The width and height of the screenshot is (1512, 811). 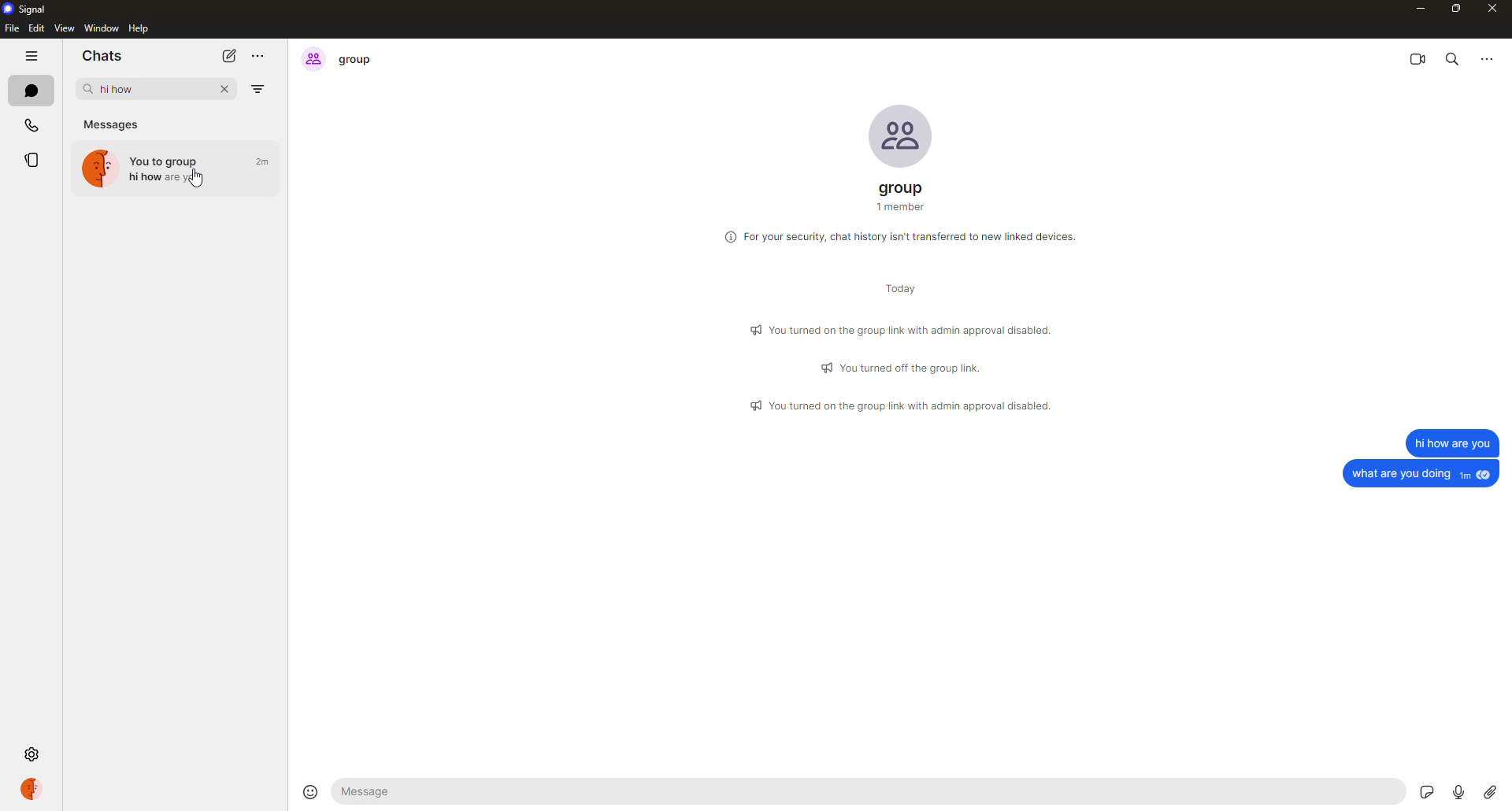 What do you see at coordinates (1422, 473) in the screenshot?
I see `message` at bounding box center [1422, 473].